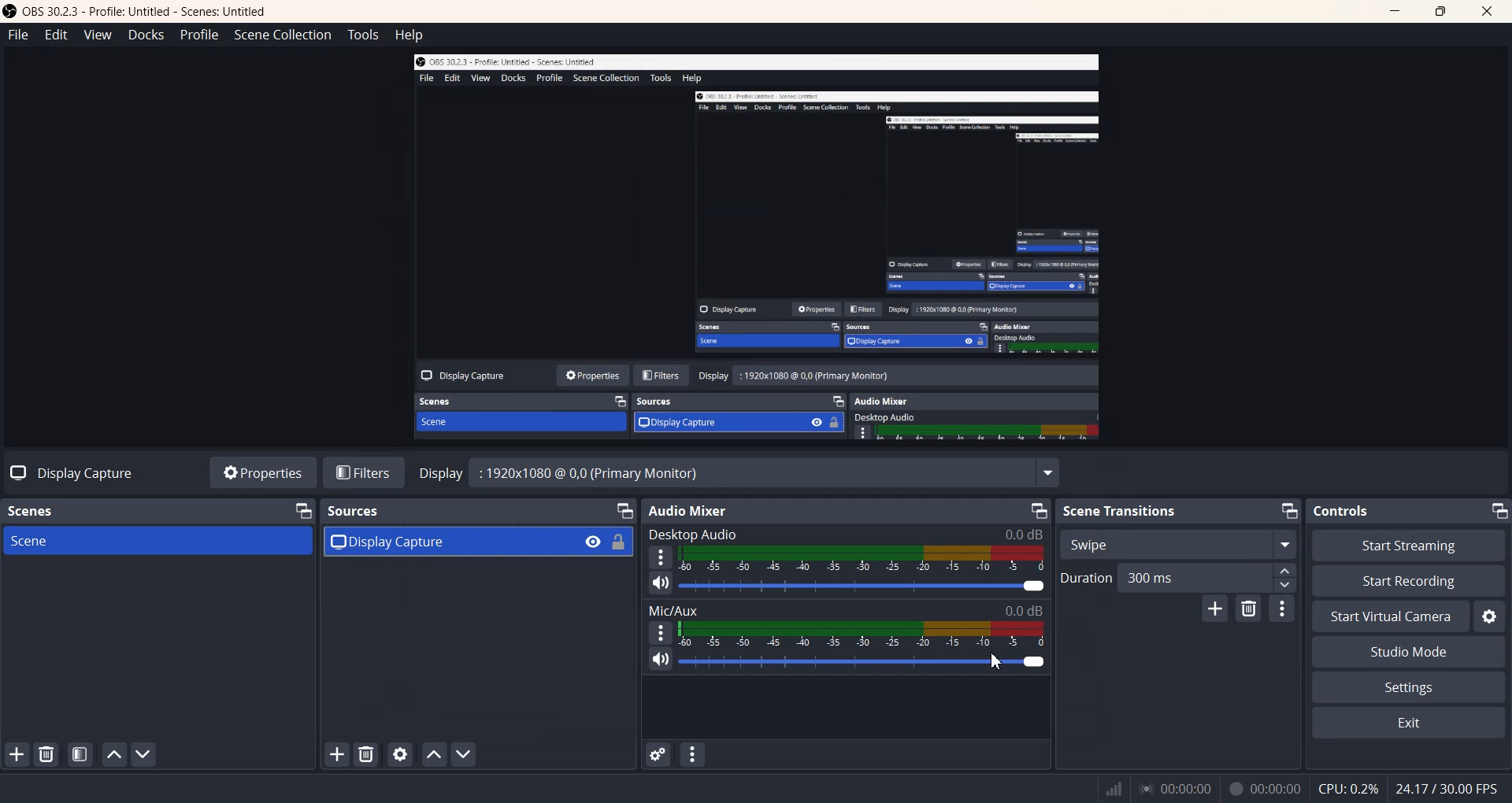 The width and height of the screenshot is (1512, 803). What do you see at coordinates (362, 35) in the screenshot?
I see `Tools` at bounding box center [362, 35].